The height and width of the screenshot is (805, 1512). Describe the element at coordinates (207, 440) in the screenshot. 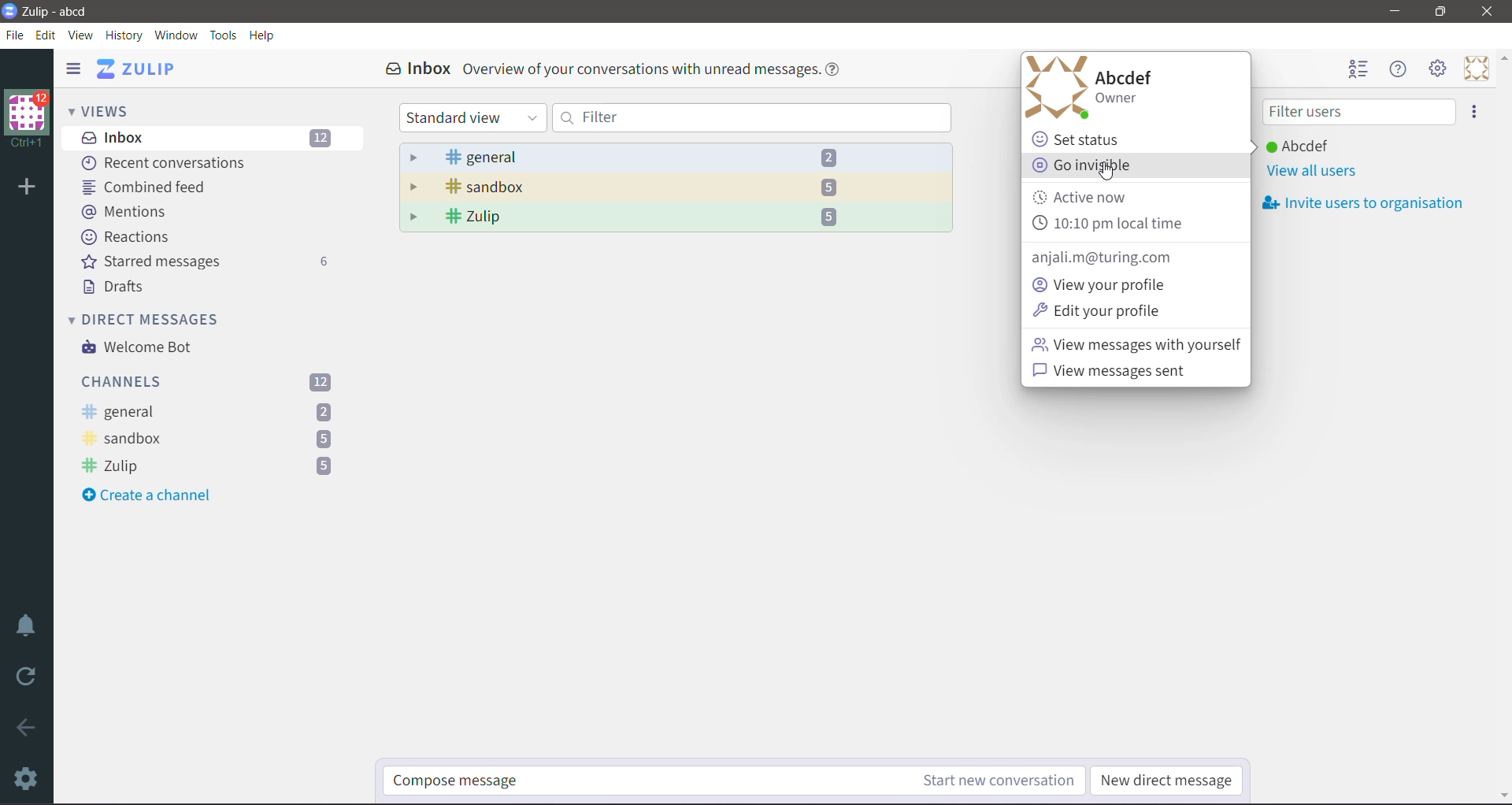

I see `sandbox -unread  messages count` at that location.